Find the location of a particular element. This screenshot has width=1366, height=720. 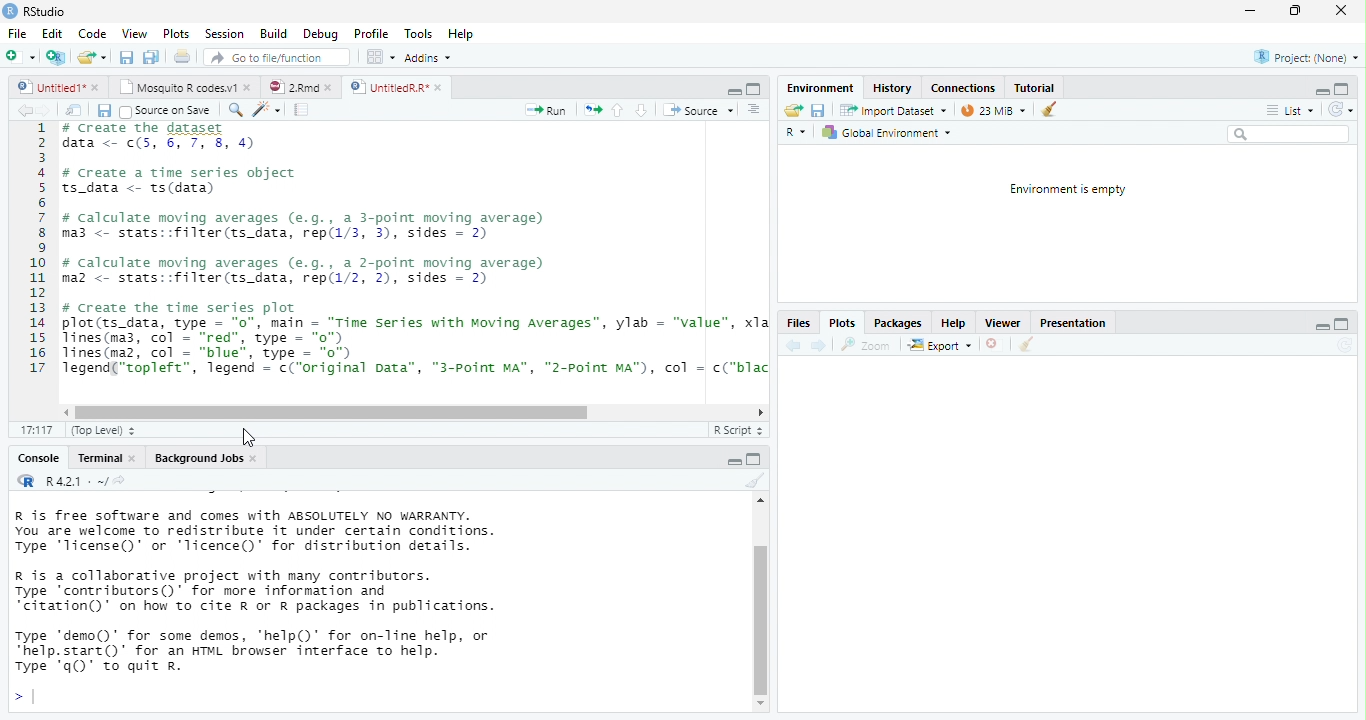

R 4.2.1 . ~/ is located at coordinates (74, 480).